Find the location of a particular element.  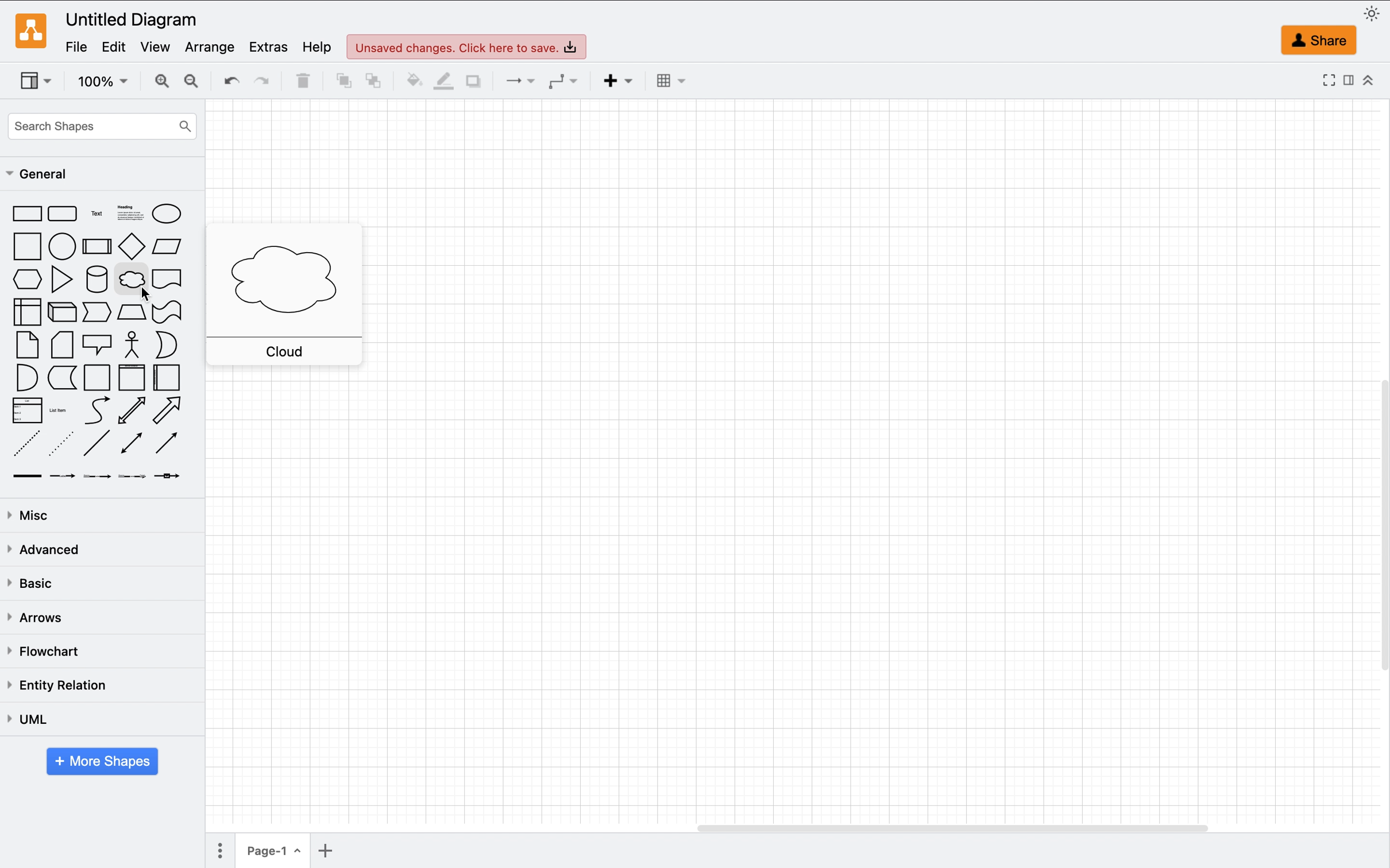

to back is located at coordinates (373, 81).